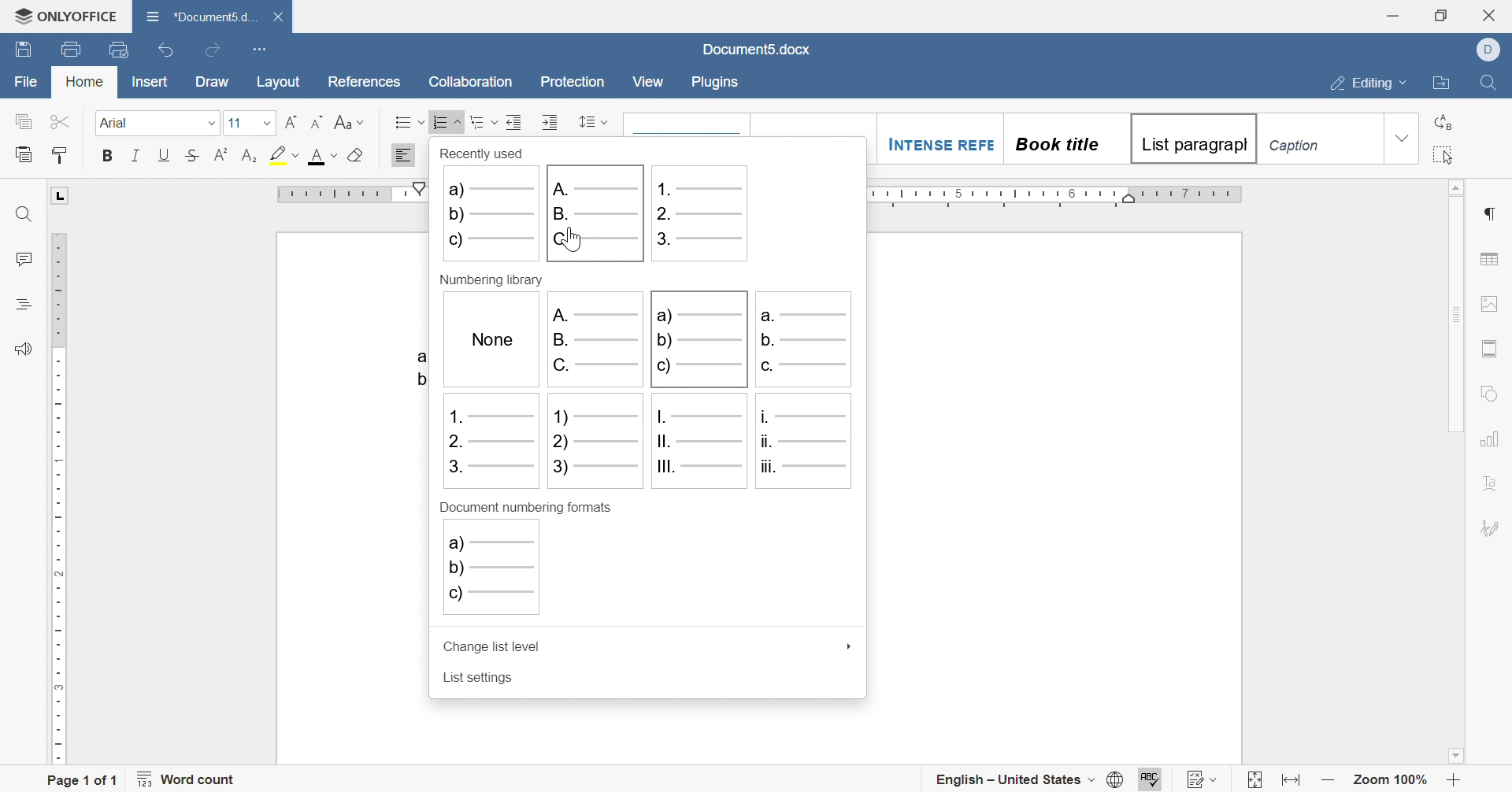 This screenshot has height=792, width=1512. I want to click on undo, so click(168, 50).